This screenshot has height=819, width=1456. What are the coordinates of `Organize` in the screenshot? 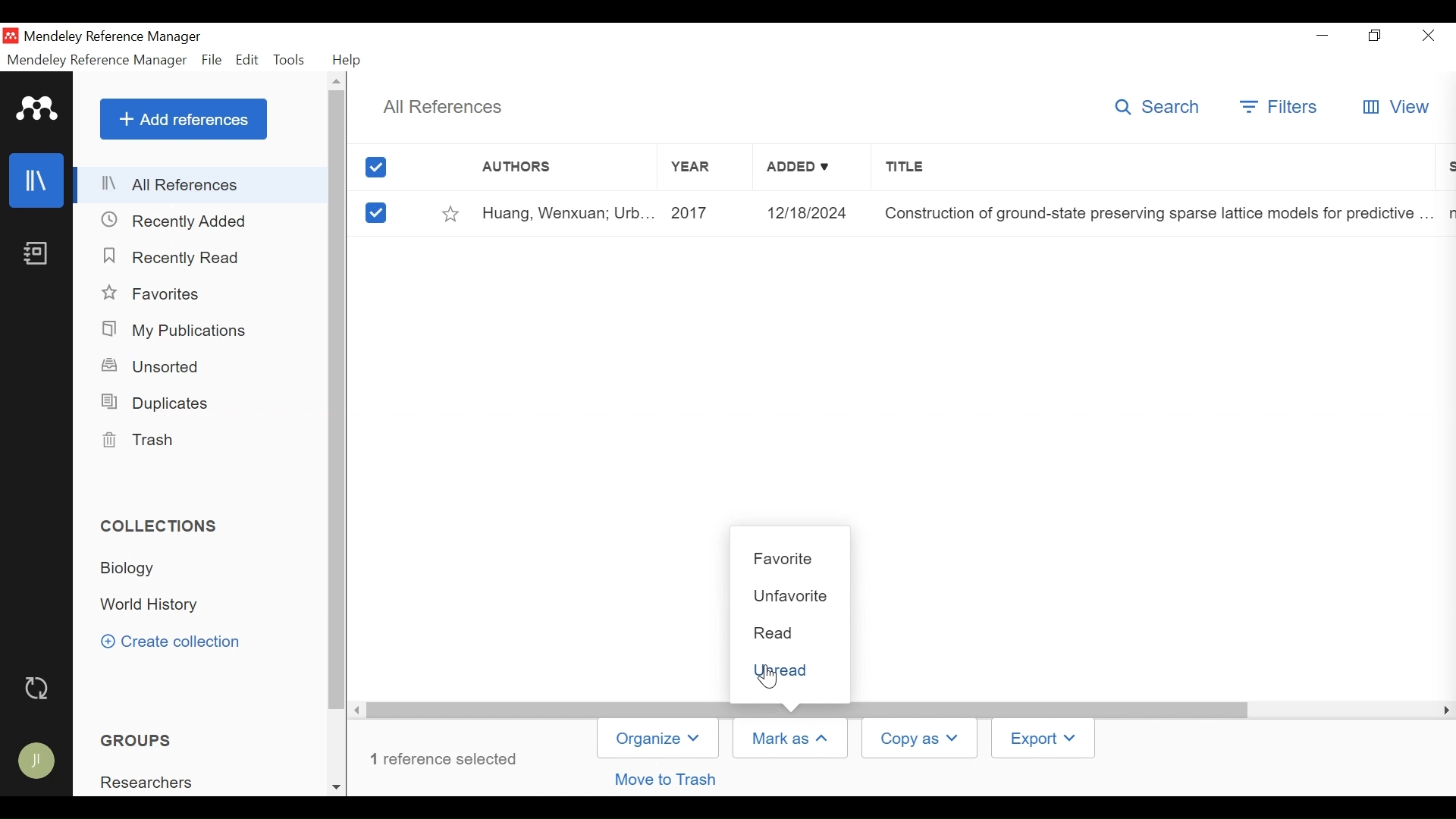 It's located at (658, 737).